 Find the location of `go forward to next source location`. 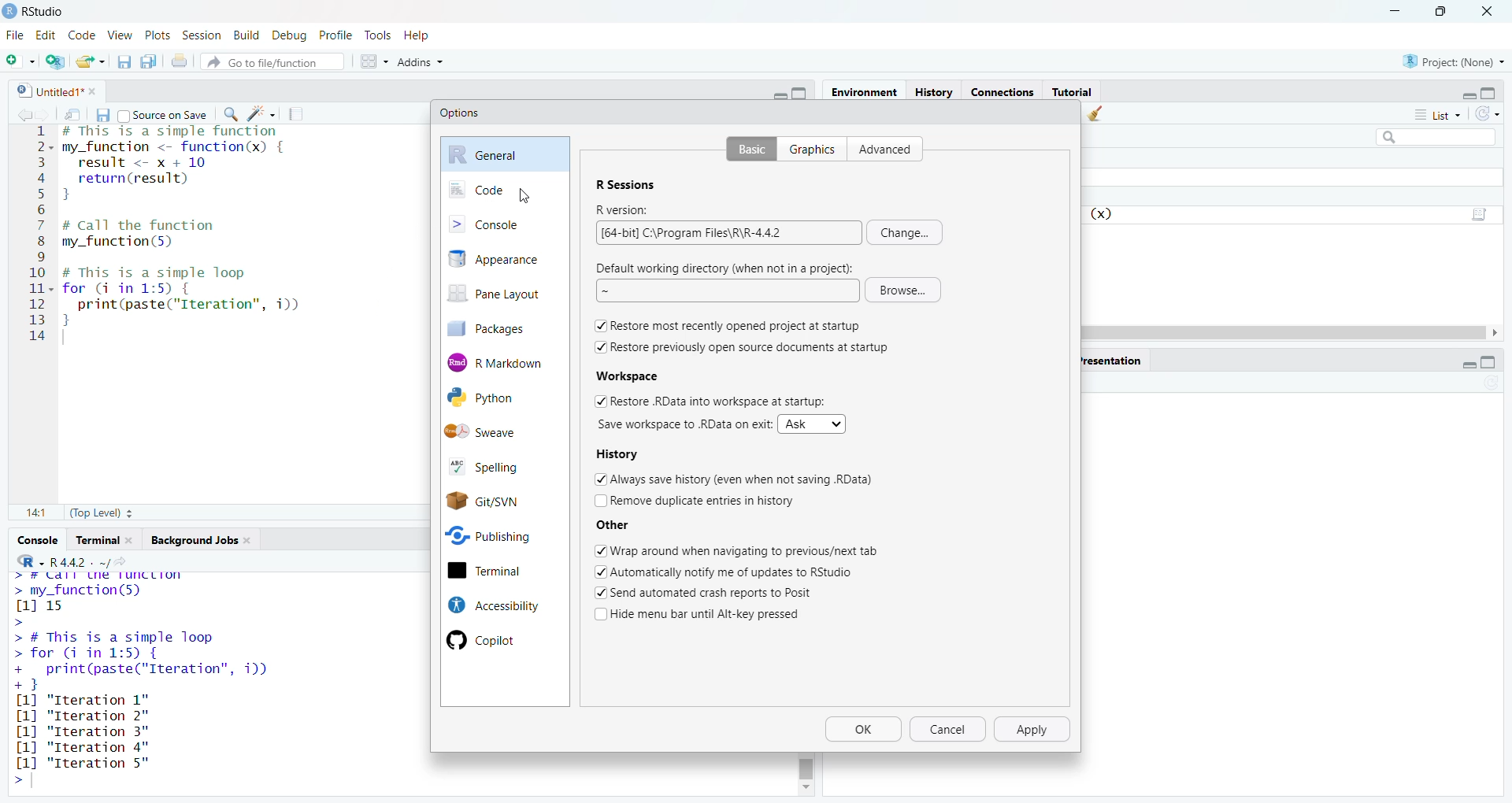

go forward to next source location is located at coordinates (46, 113).